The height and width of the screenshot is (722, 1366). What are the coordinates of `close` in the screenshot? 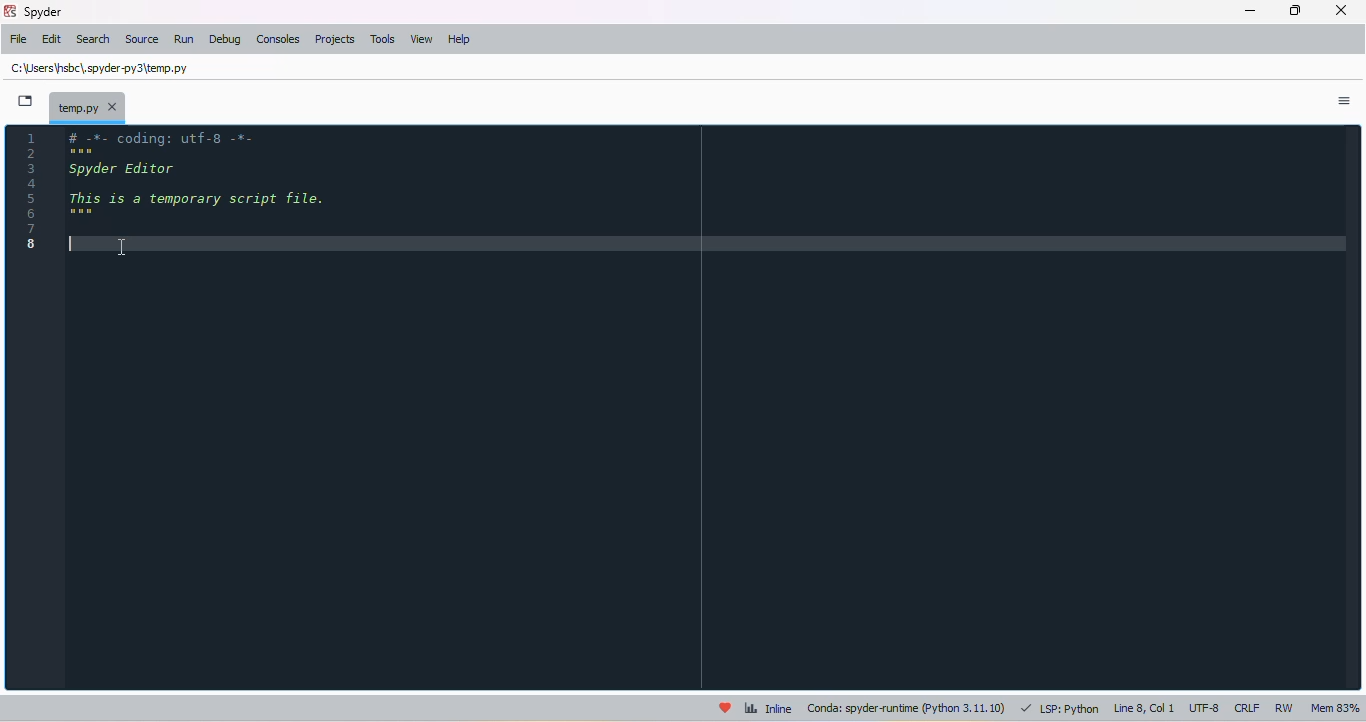 It's located at (1342, 10).